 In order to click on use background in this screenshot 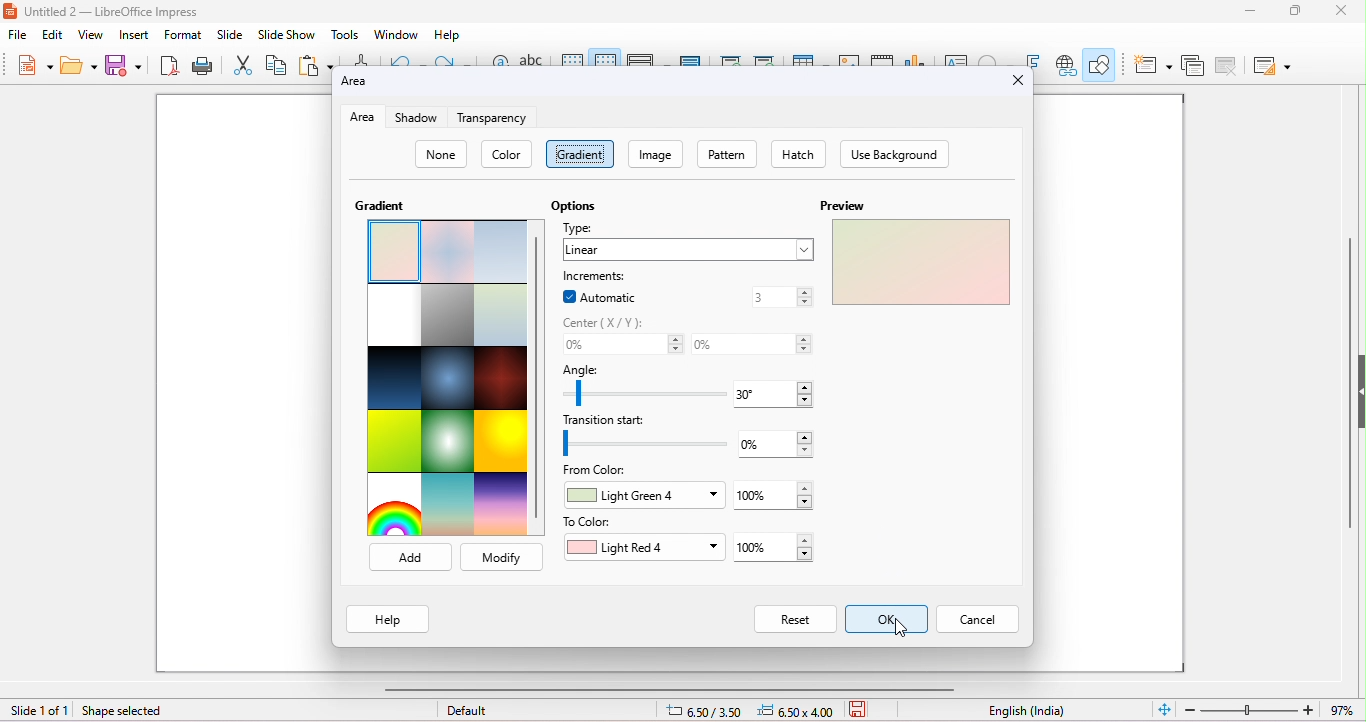, I will do `click(894, 154)`.